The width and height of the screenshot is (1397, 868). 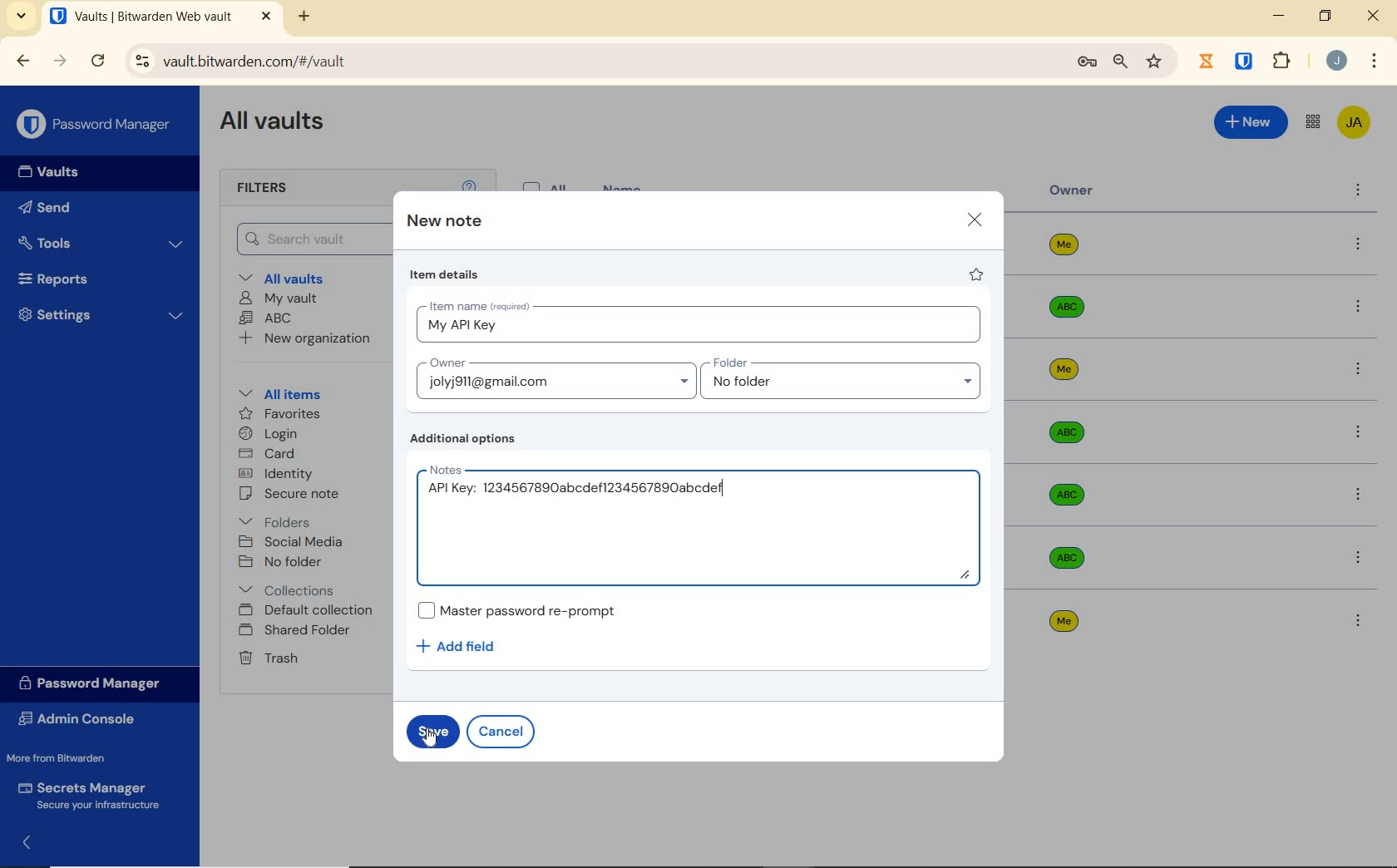 I want to click on more options, so click(x=1359, y=372).